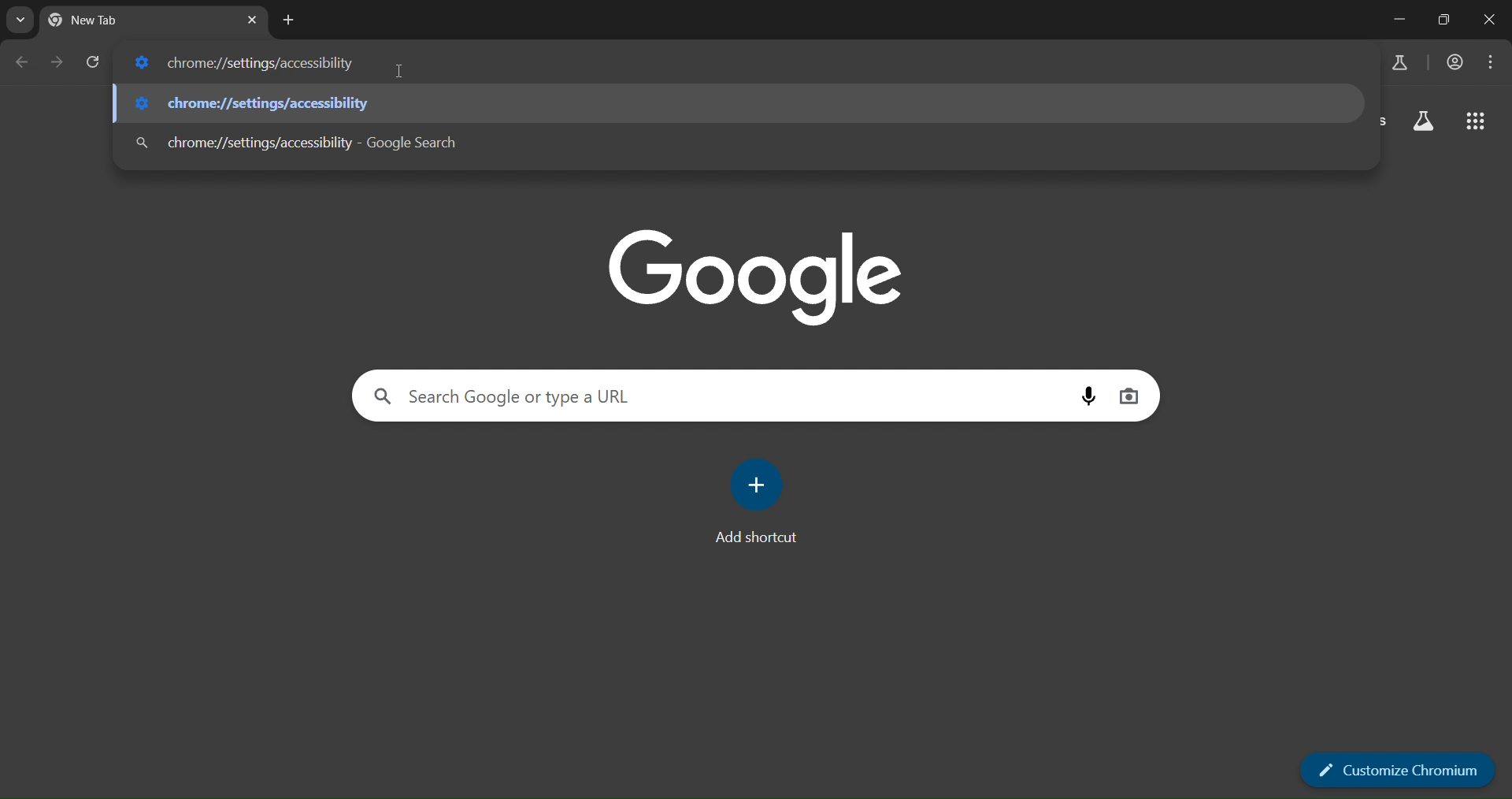 This screenshot has height=799, width=1512. I want to click on restore down, so click(1447, 19).